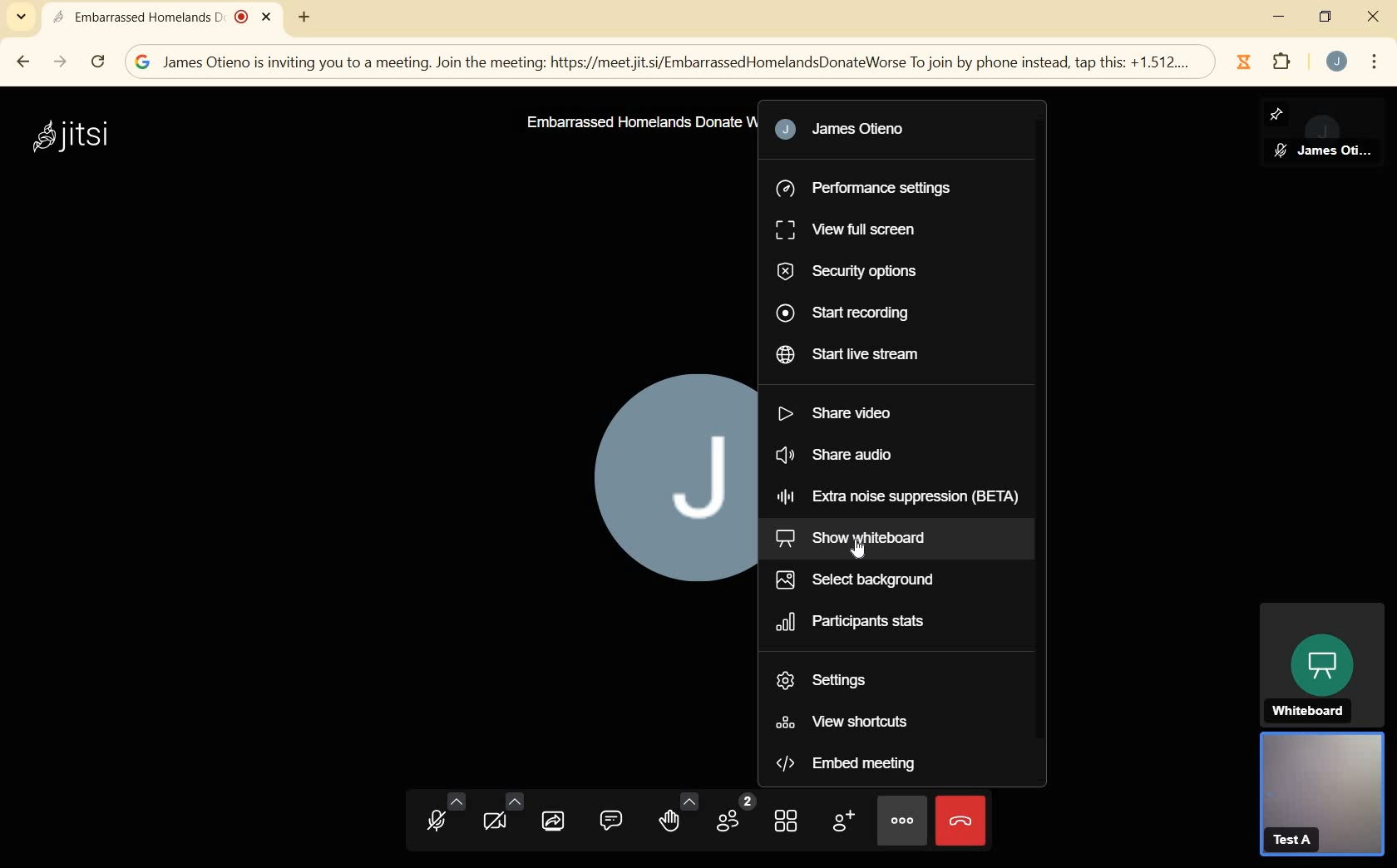 The width and height of the screenshot is (1397, 868). What do you see at coordinates (734, 814) in the screenshot?
I see `participants (2)` at bounding box center [734, 814].